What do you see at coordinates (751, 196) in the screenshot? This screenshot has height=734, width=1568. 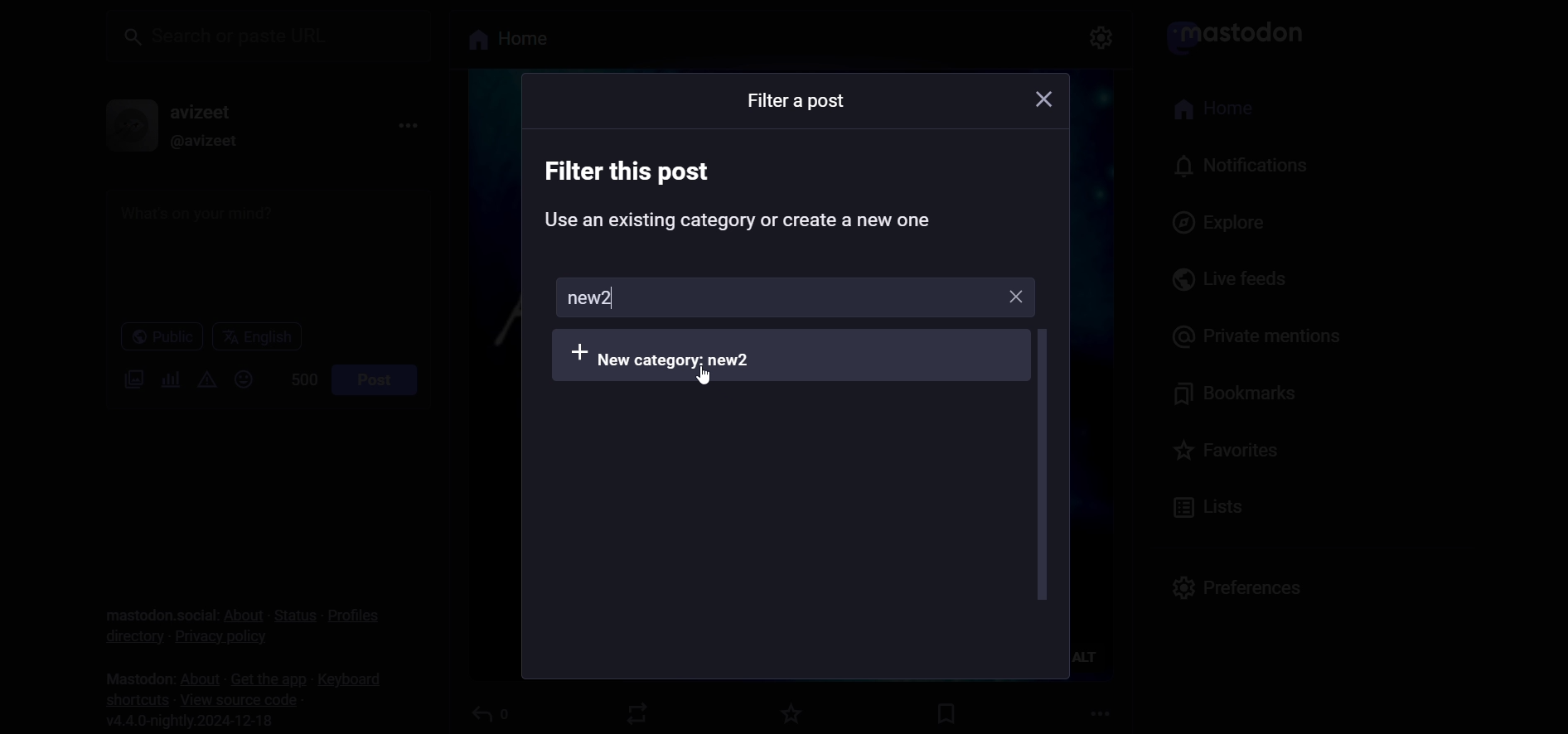 I see `instruction` at bounding box center [751, 196].